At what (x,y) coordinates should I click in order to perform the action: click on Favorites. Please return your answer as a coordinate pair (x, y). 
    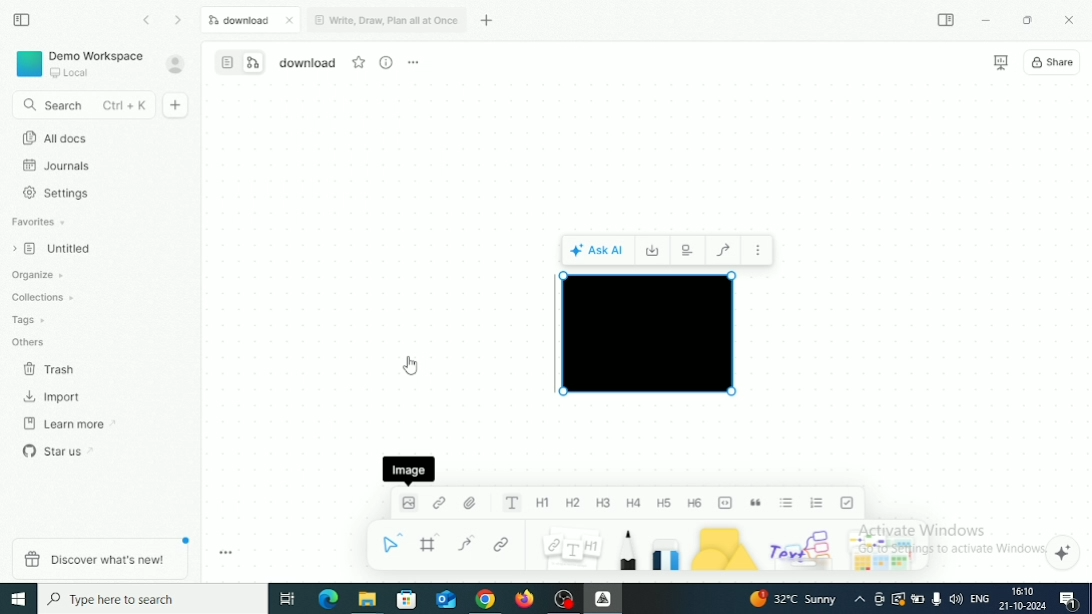
    Looking at the image, I should click on (40, 222).